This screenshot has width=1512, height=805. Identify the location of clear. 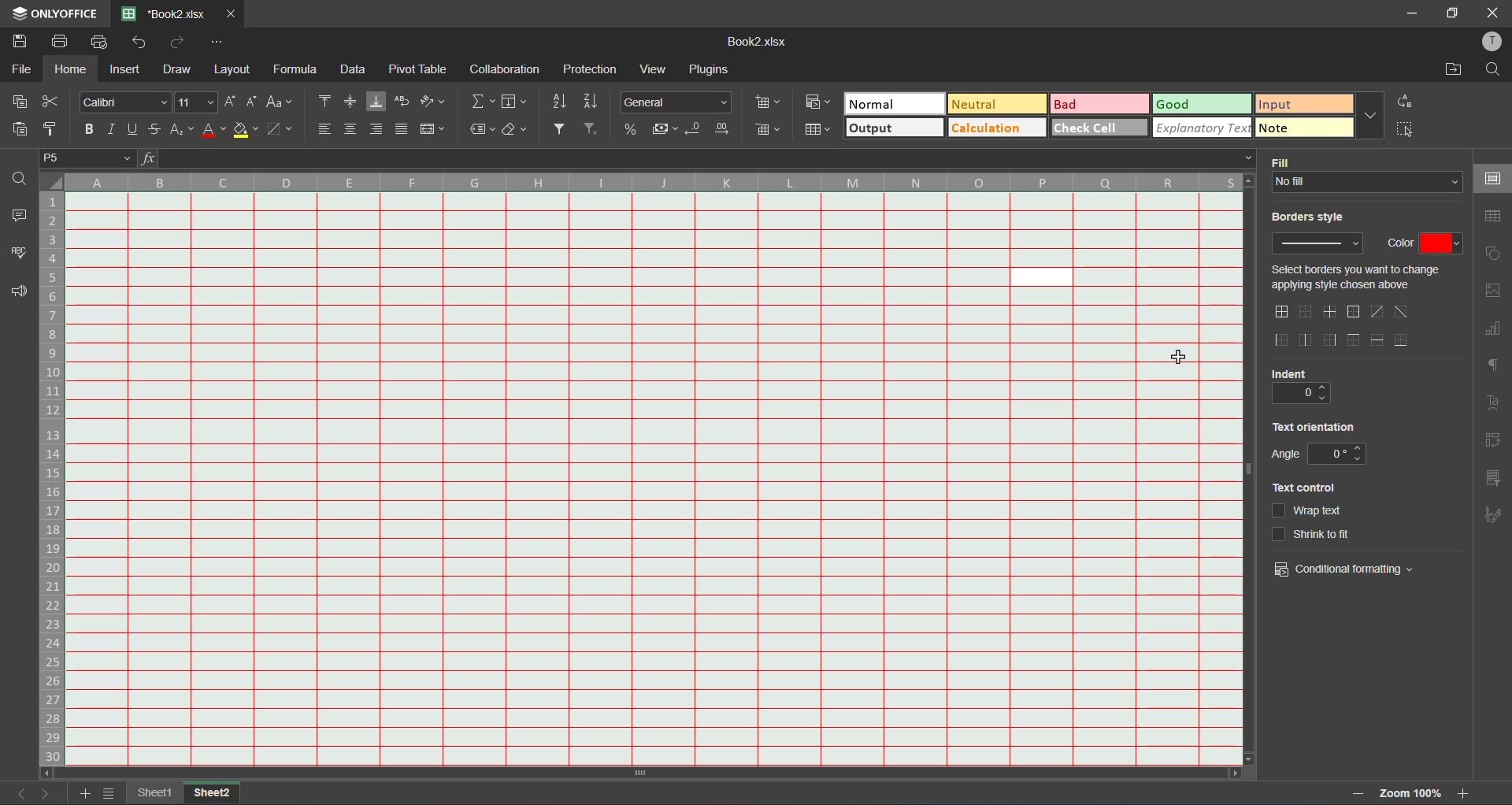
(521, 132).